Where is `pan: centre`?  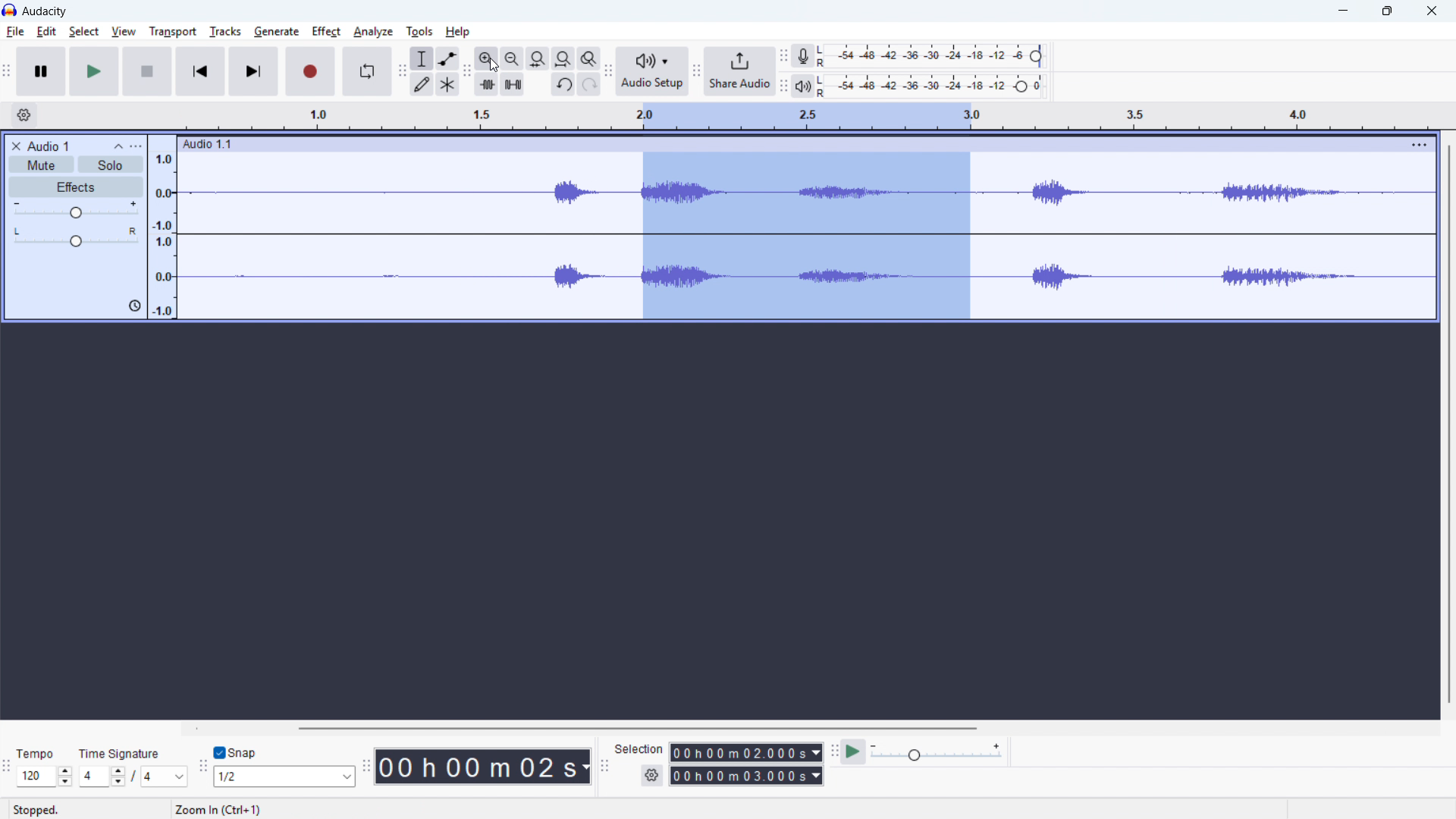 pan: centre is located at coordinates (76, 237).